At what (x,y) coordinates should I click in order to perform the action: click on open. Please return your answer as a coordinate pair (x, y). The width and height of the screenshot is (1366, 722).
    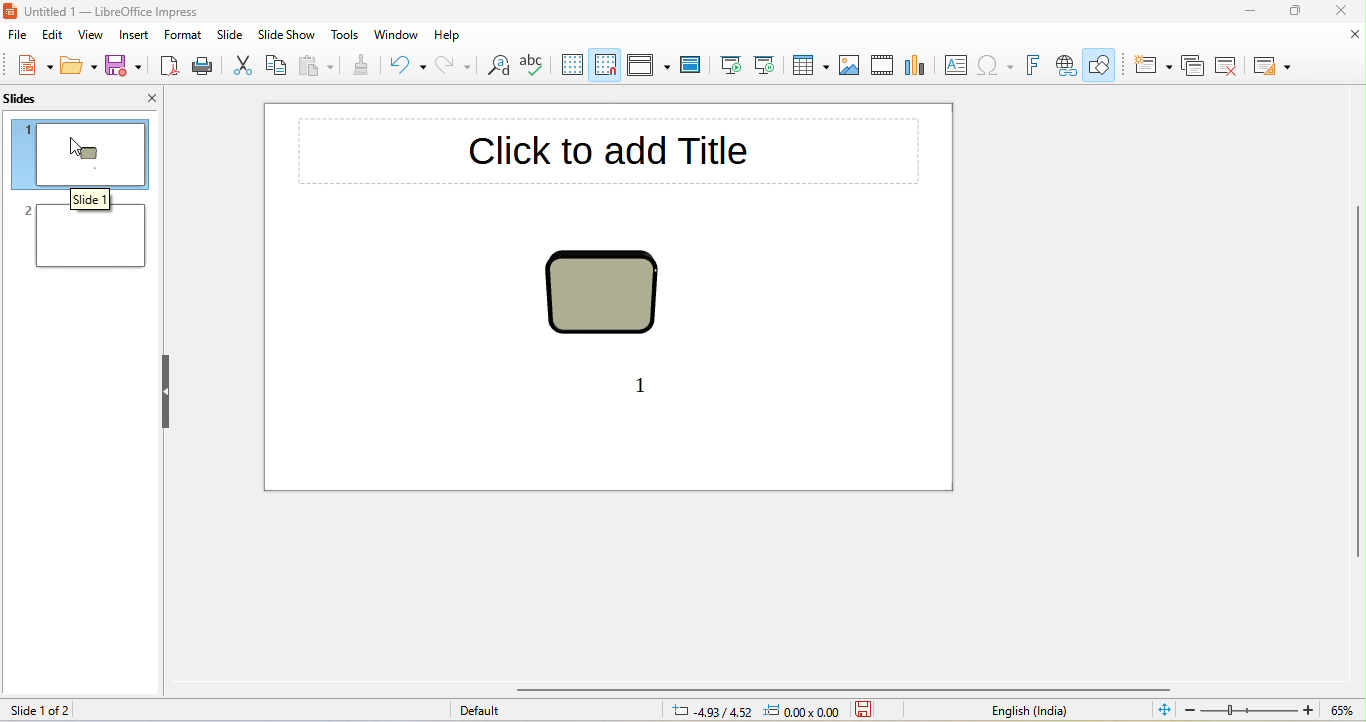
    Looking at the image, I should click on (80, 68).